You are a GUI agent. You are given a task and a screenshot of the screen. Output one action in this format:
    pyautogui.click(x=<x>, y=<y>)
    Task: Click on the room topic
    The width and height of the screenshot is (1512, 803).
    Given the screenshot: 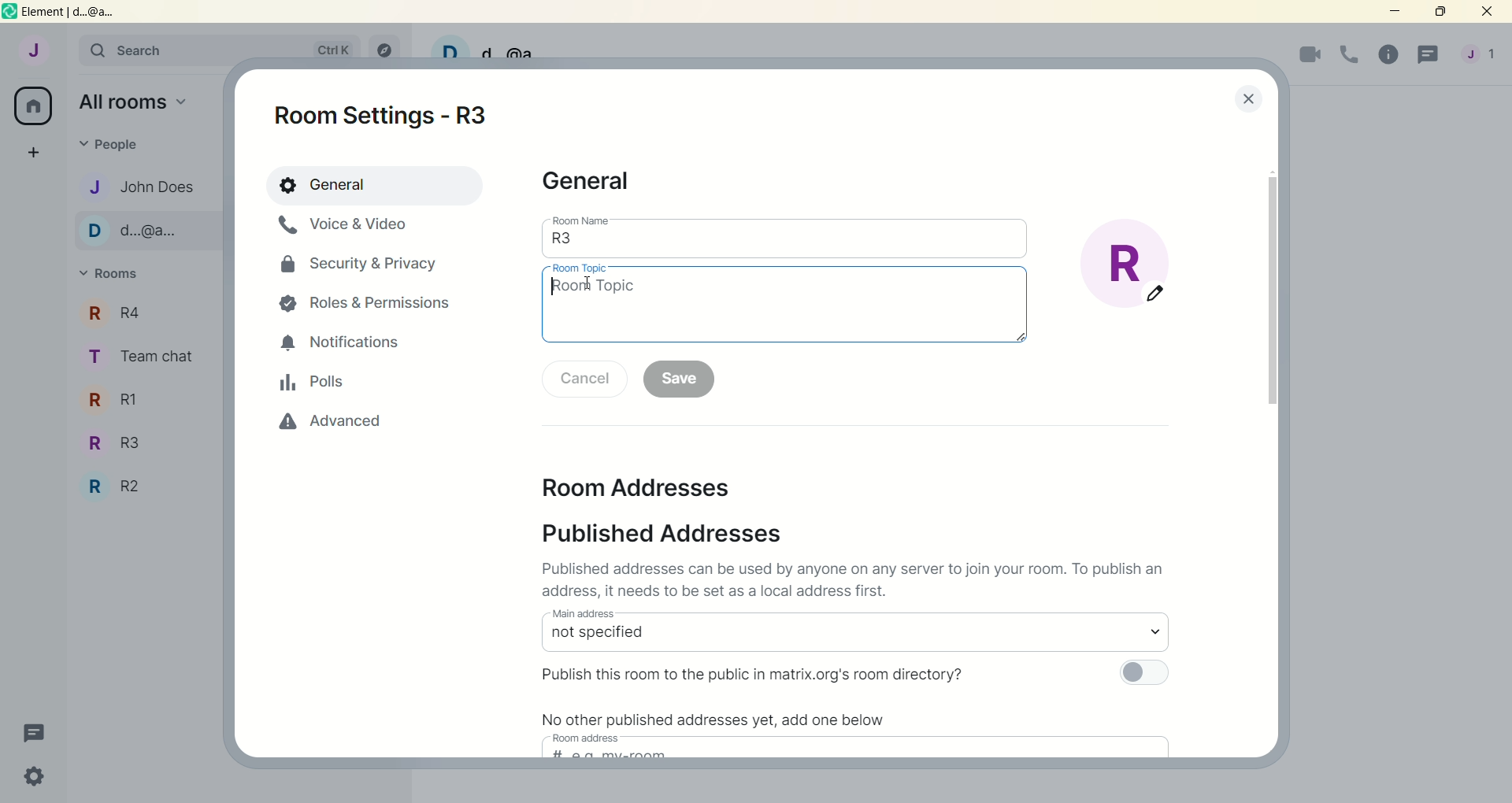 What is the action you would take?
    pyautogui.click(x=578, y=268)
    